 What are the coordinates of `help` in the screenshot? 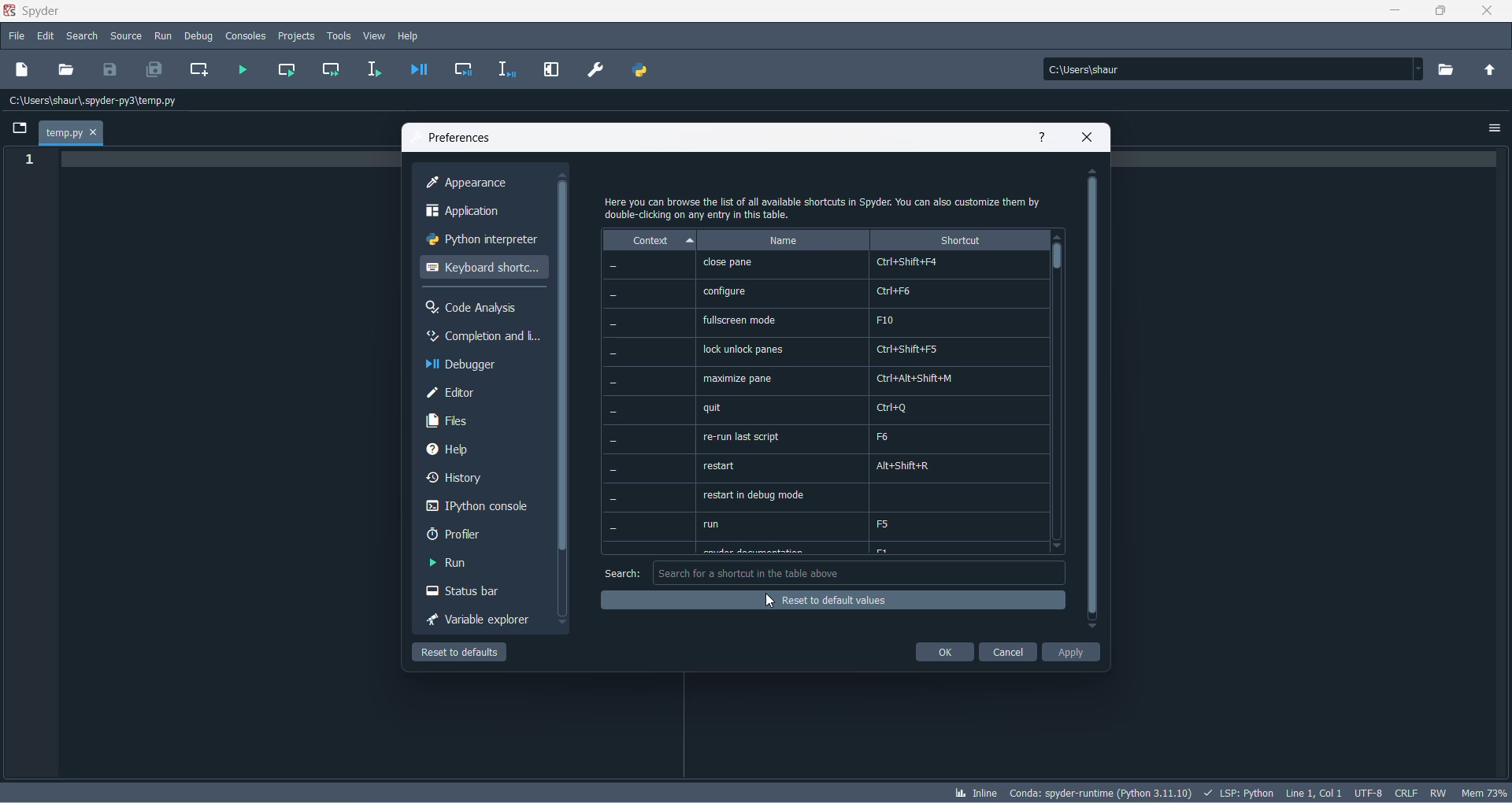 It's located at (1037, 138).